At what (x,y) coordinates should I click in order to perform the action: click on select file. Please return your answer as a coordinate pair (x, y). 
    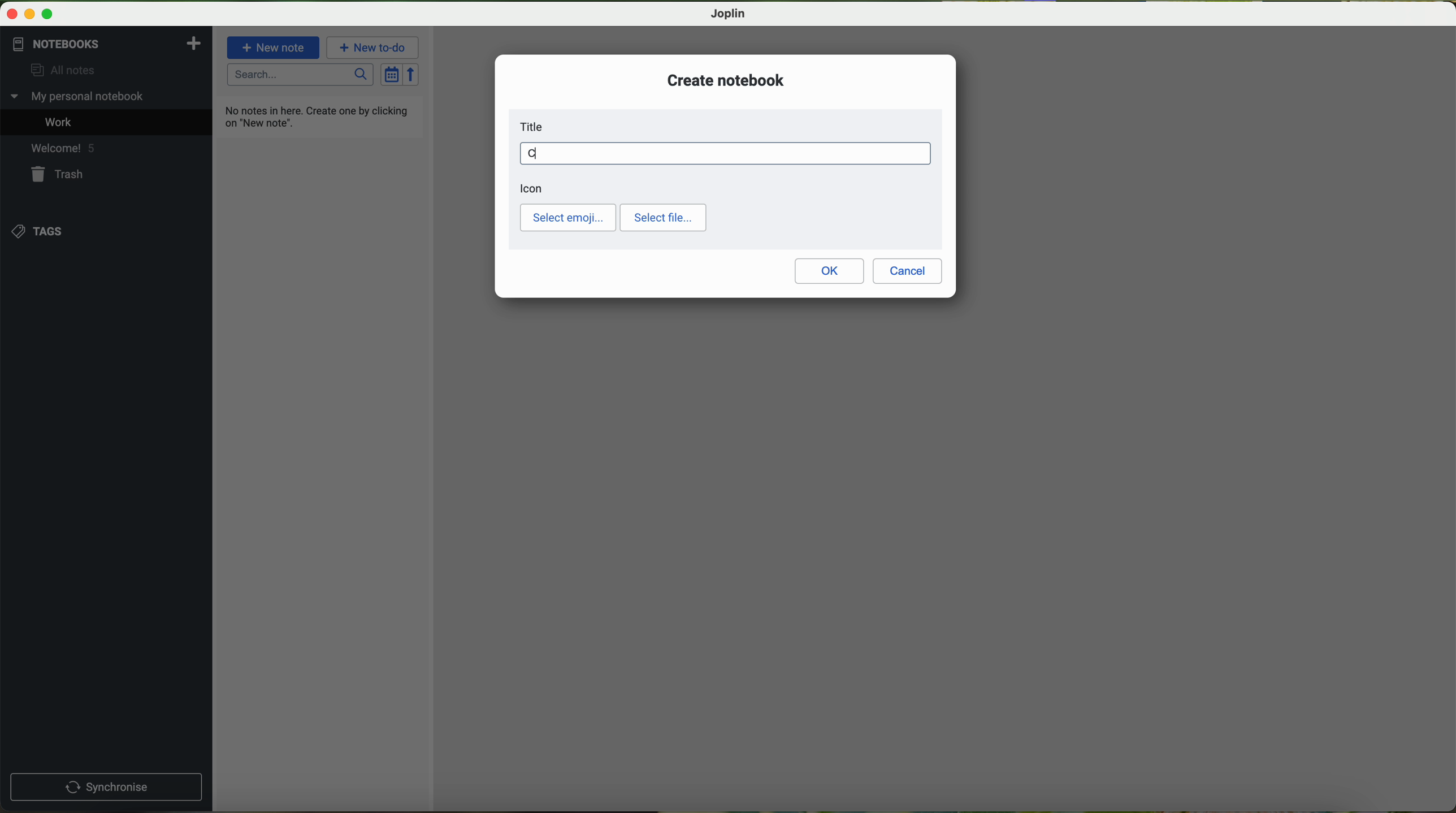
    Looking at the image, I should click on (663, 218).